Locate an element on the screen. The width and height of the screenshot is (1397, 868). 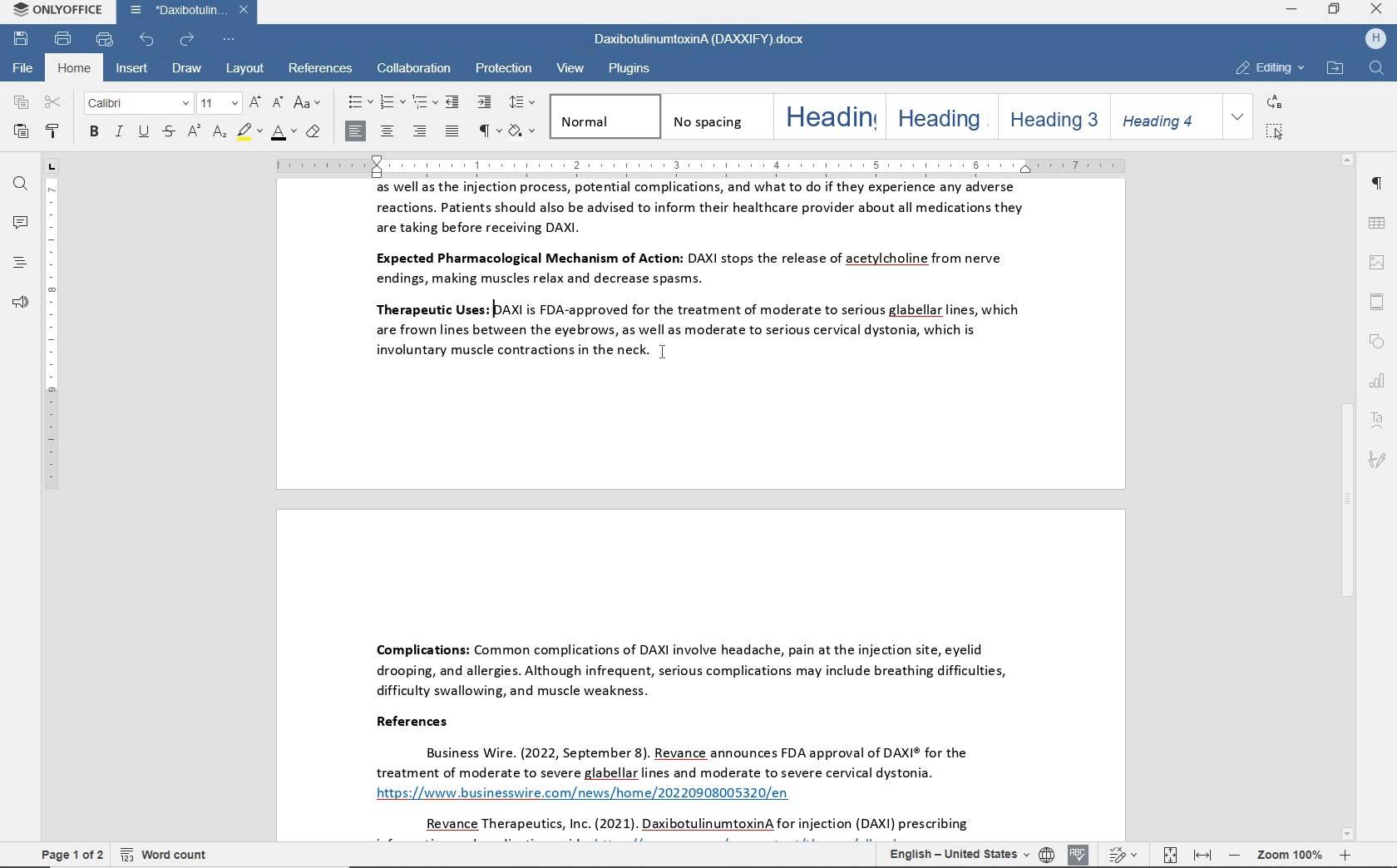
references is located at coordinates (323, 69).